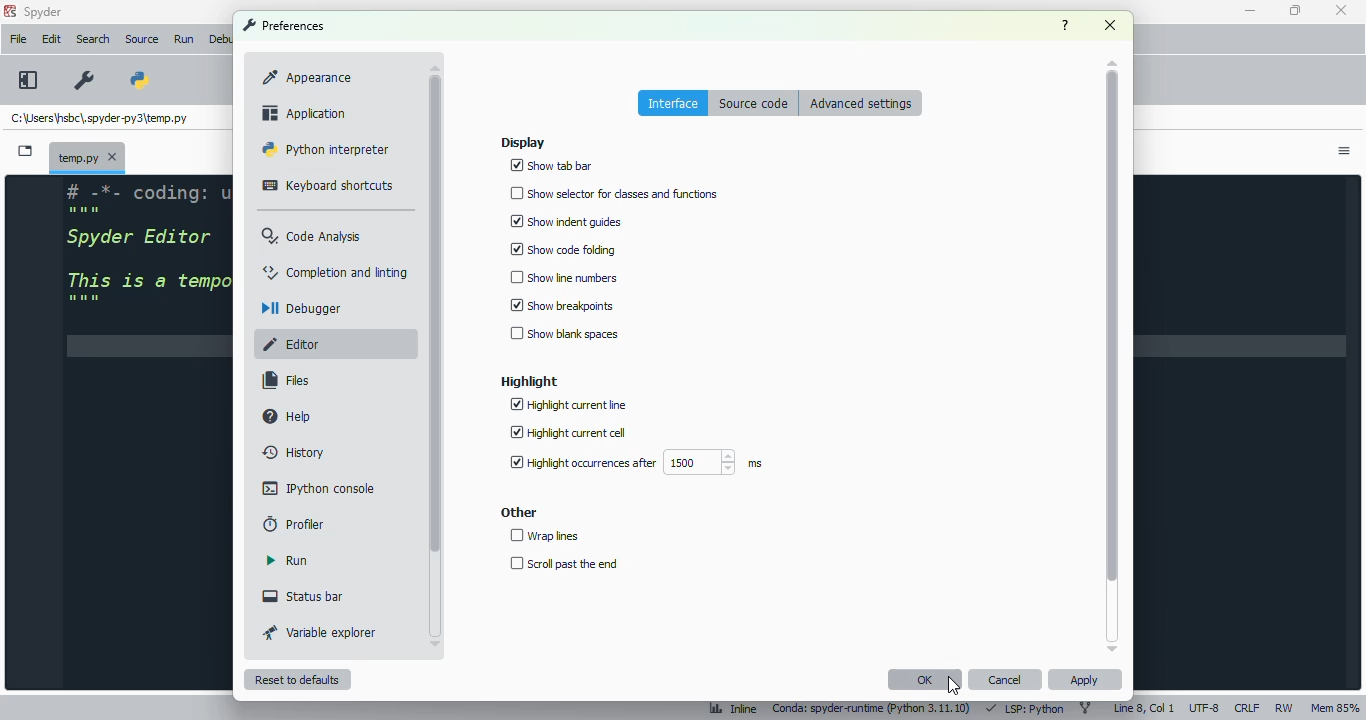 The image size is (1366, 720). What do you see at coordinates (1334, 707) in the screenshot?
I see `Mem 85%` at bounding box center [1334, 707].